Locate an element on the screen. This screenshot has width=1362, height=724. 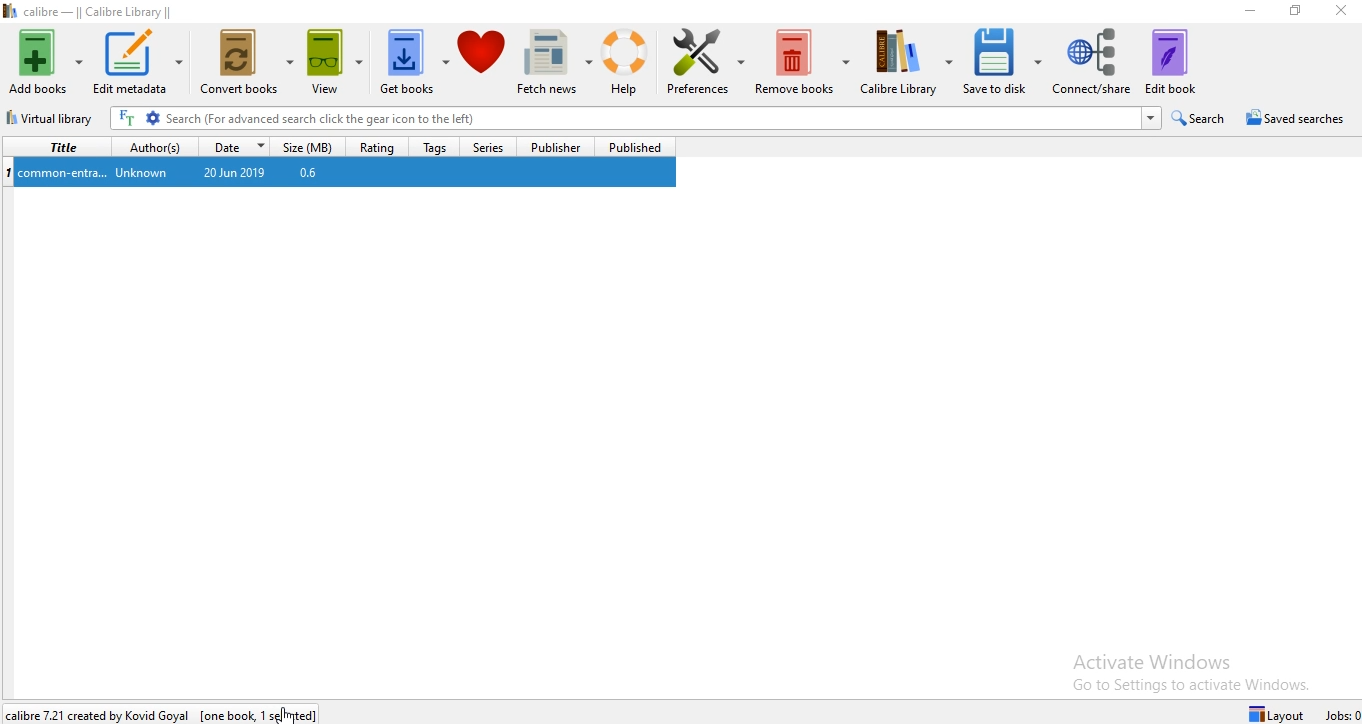
Remove books is located at coordinates (803, 63).